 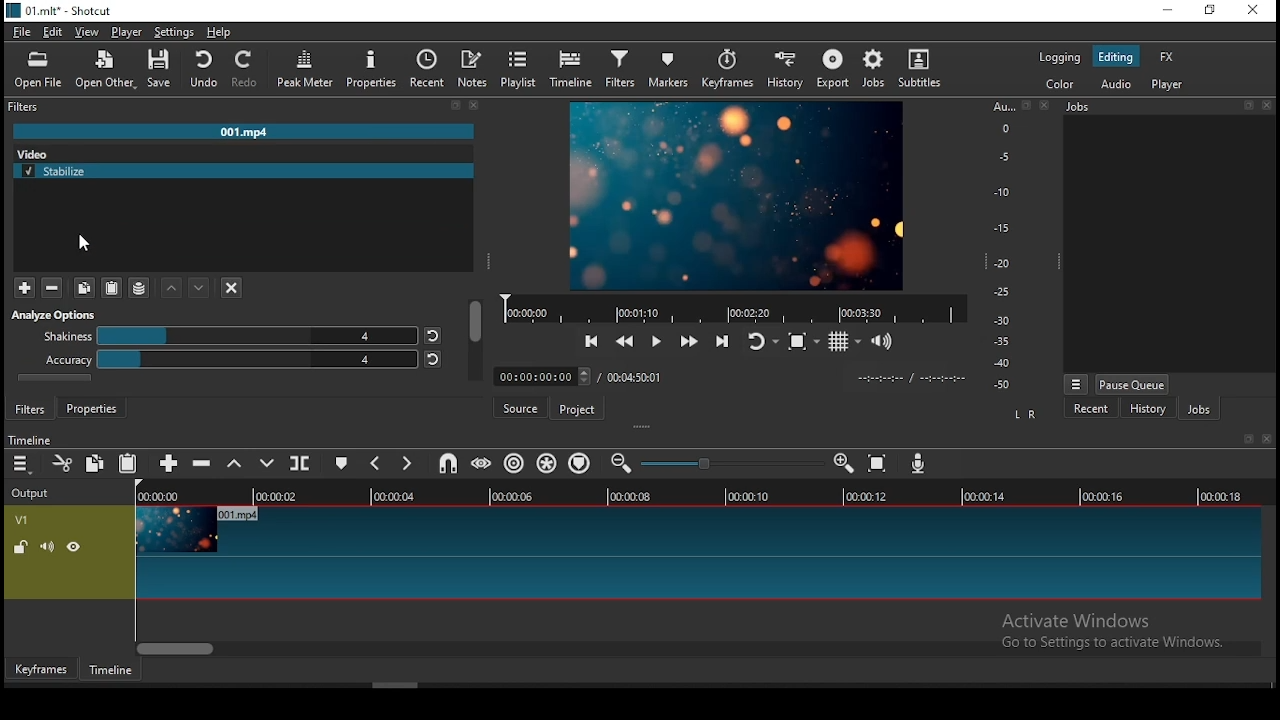 I want to click on stack, so click(x=141, y=289).